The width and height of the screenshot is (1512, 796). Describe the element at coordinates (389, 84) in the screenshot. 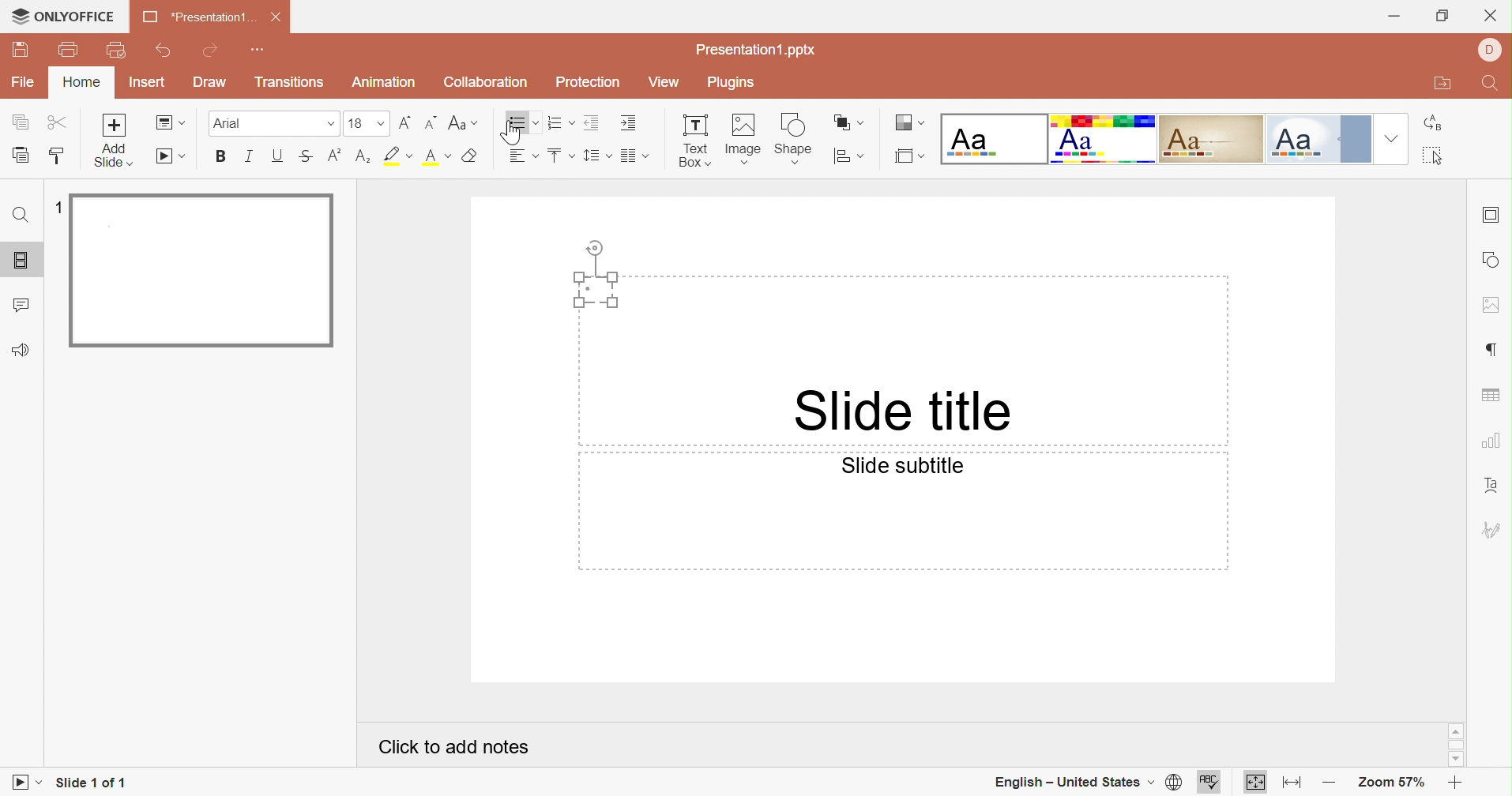

I see `Animation` at that location.